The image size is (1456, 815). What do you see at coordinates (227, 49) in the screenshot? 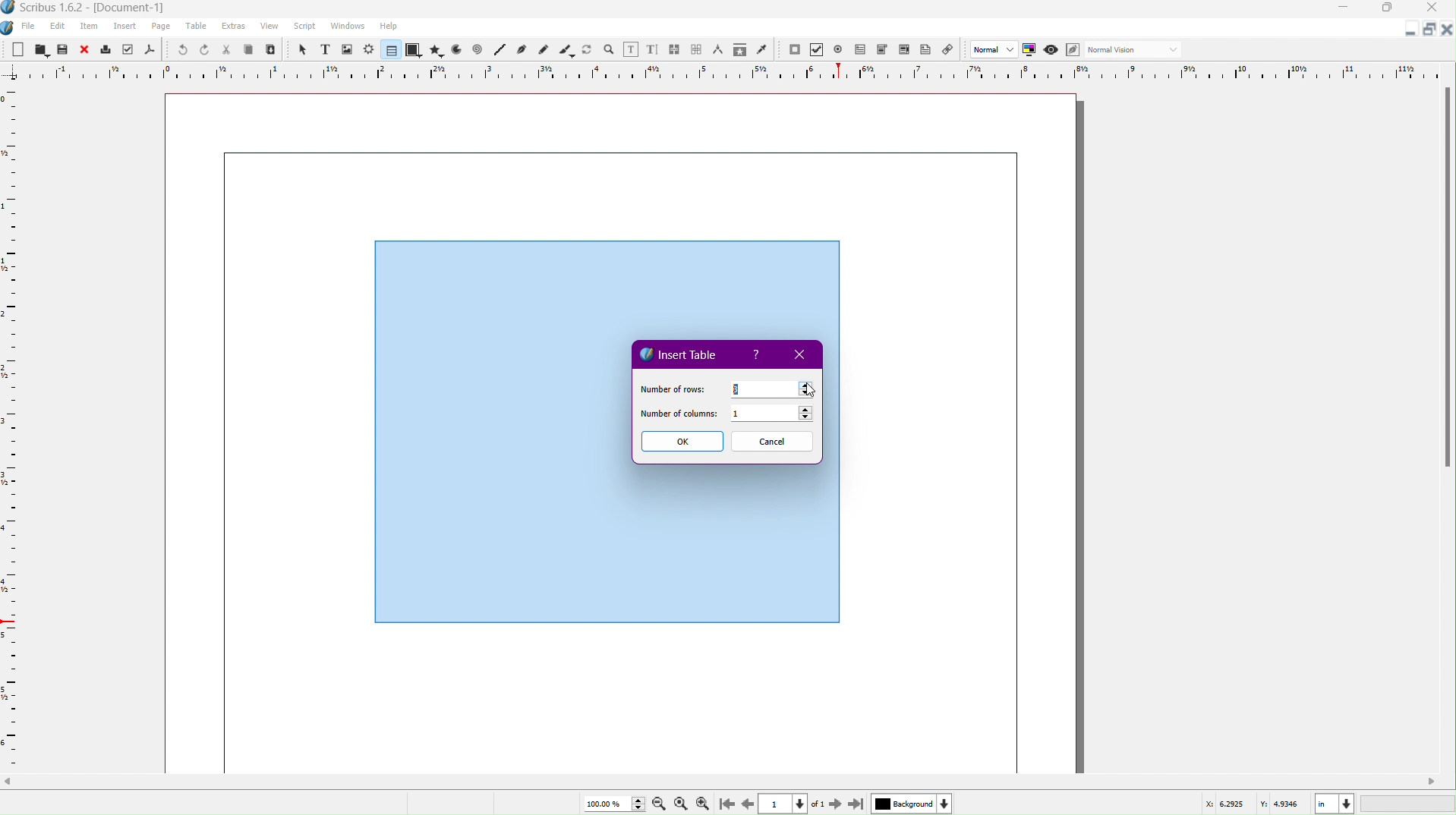
I see `Cut` at bounding box center [227, 49].